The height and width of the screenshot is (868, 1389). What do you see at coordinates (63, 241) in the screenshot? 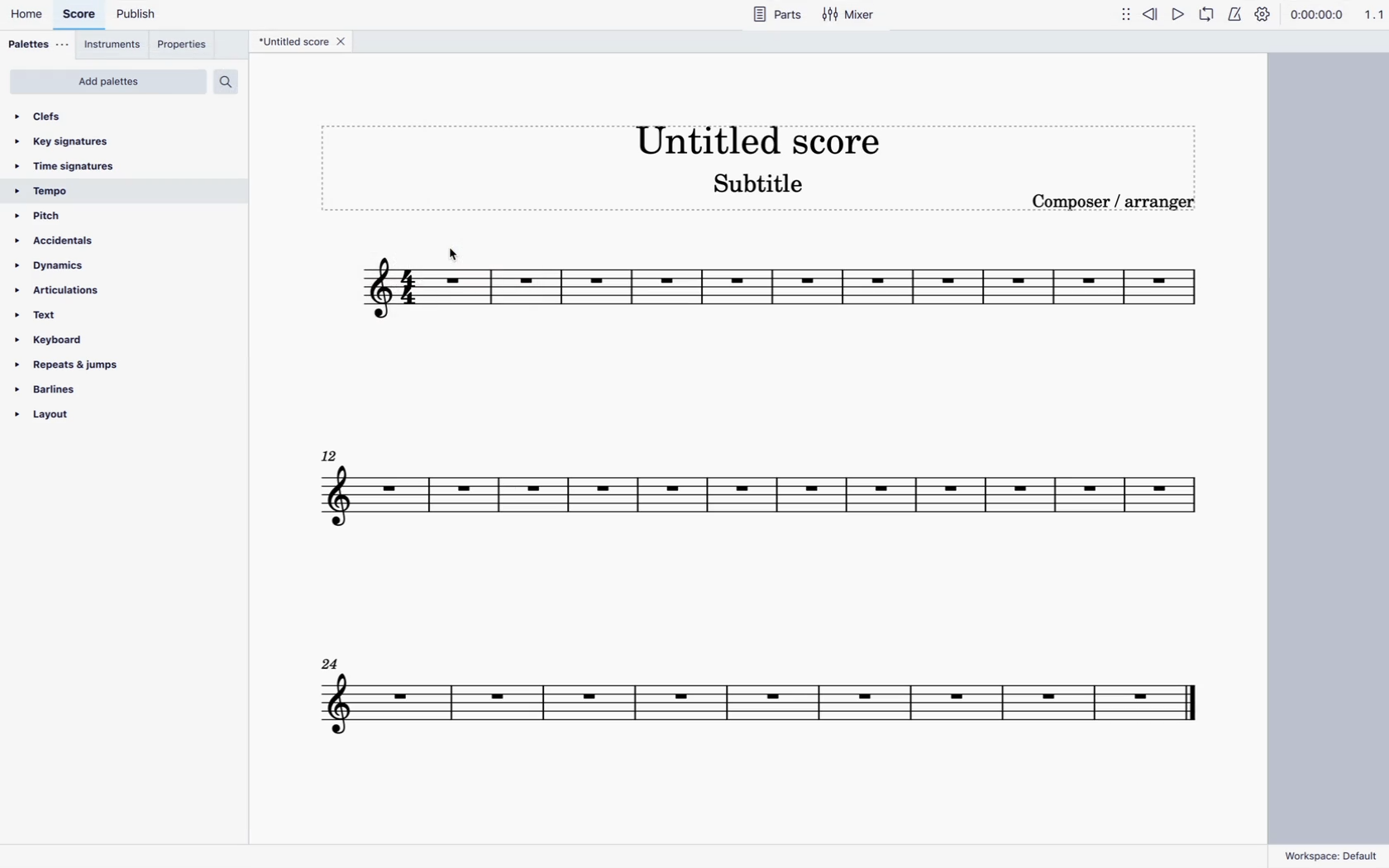
I see `accidentals` at bounding box center [63, 241].